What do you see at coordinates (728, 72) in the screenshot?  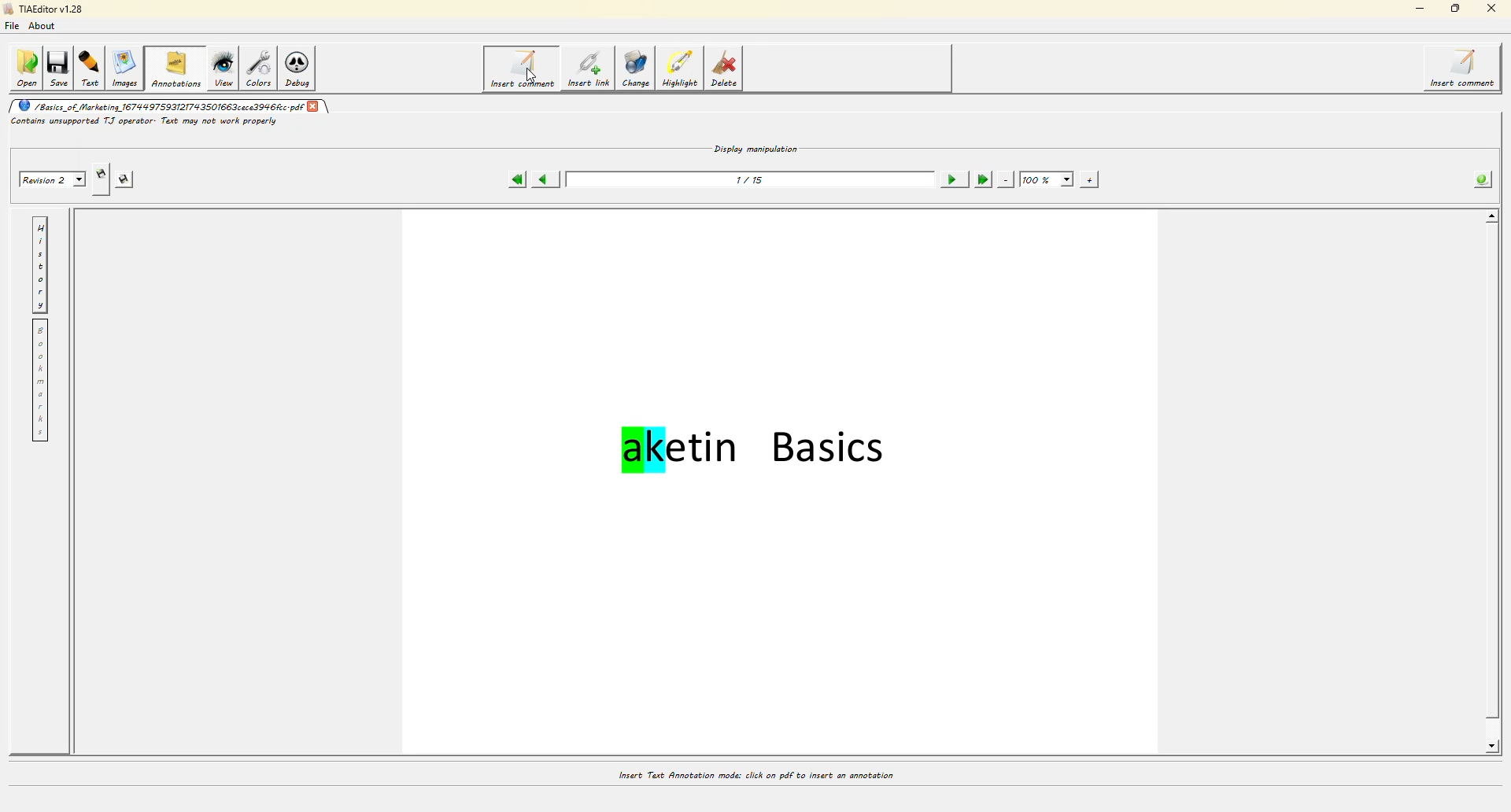 I see `delete` at bounding box center [728, 72].